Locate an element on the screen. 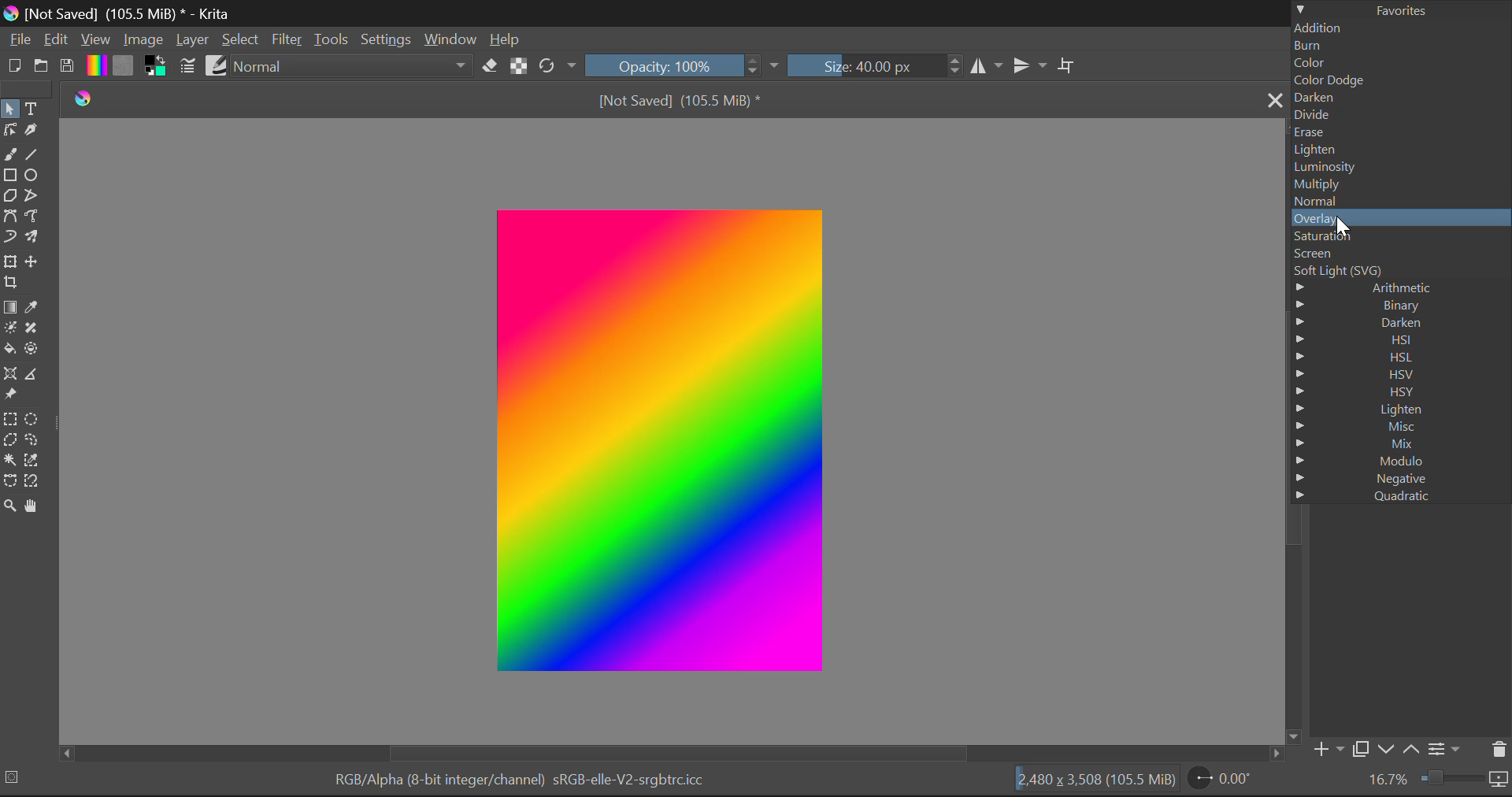  Colors in use is located at coordinates (157, 67).